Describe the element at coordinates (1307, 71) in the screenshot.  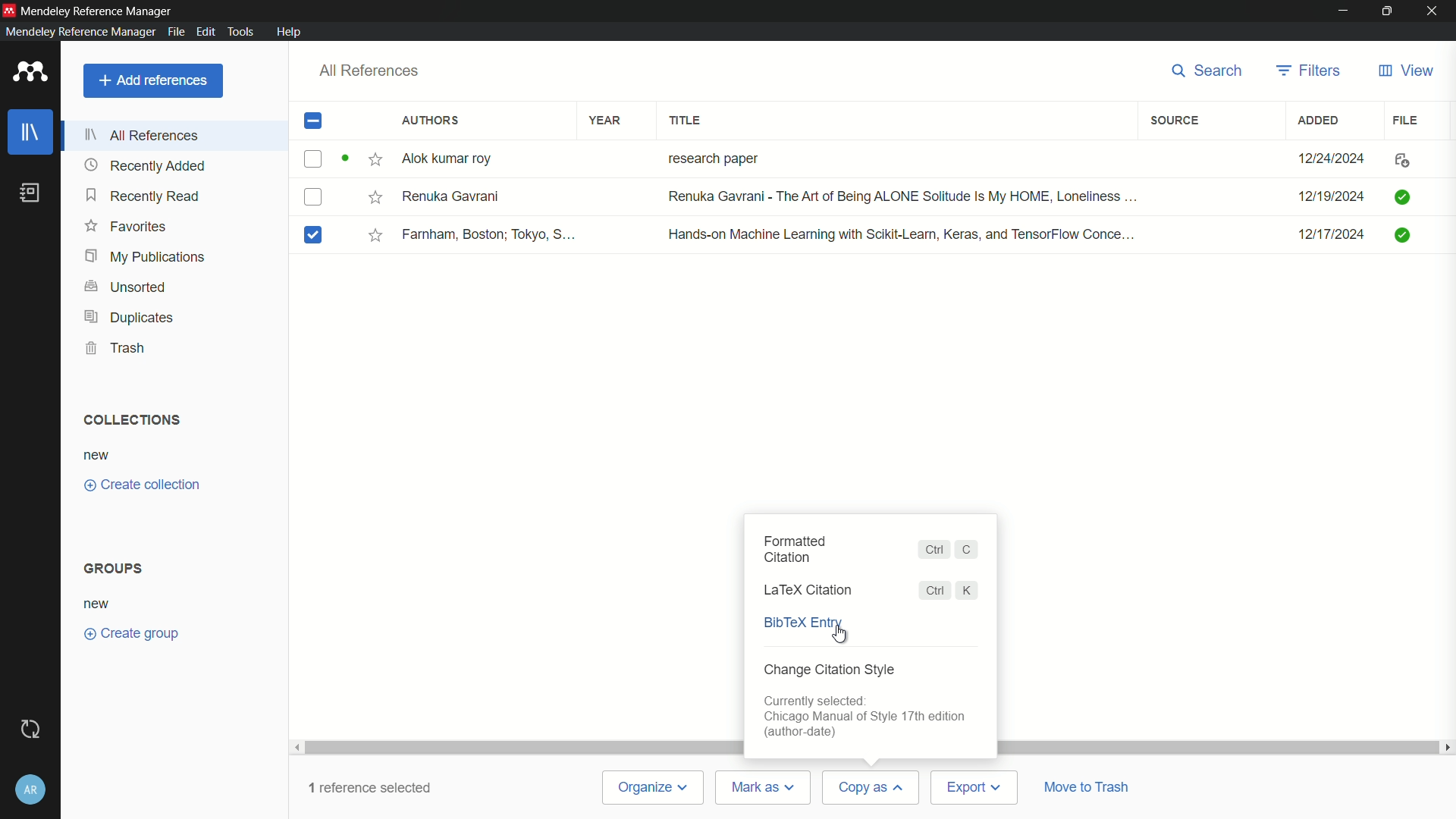
I see `filters` at that location.